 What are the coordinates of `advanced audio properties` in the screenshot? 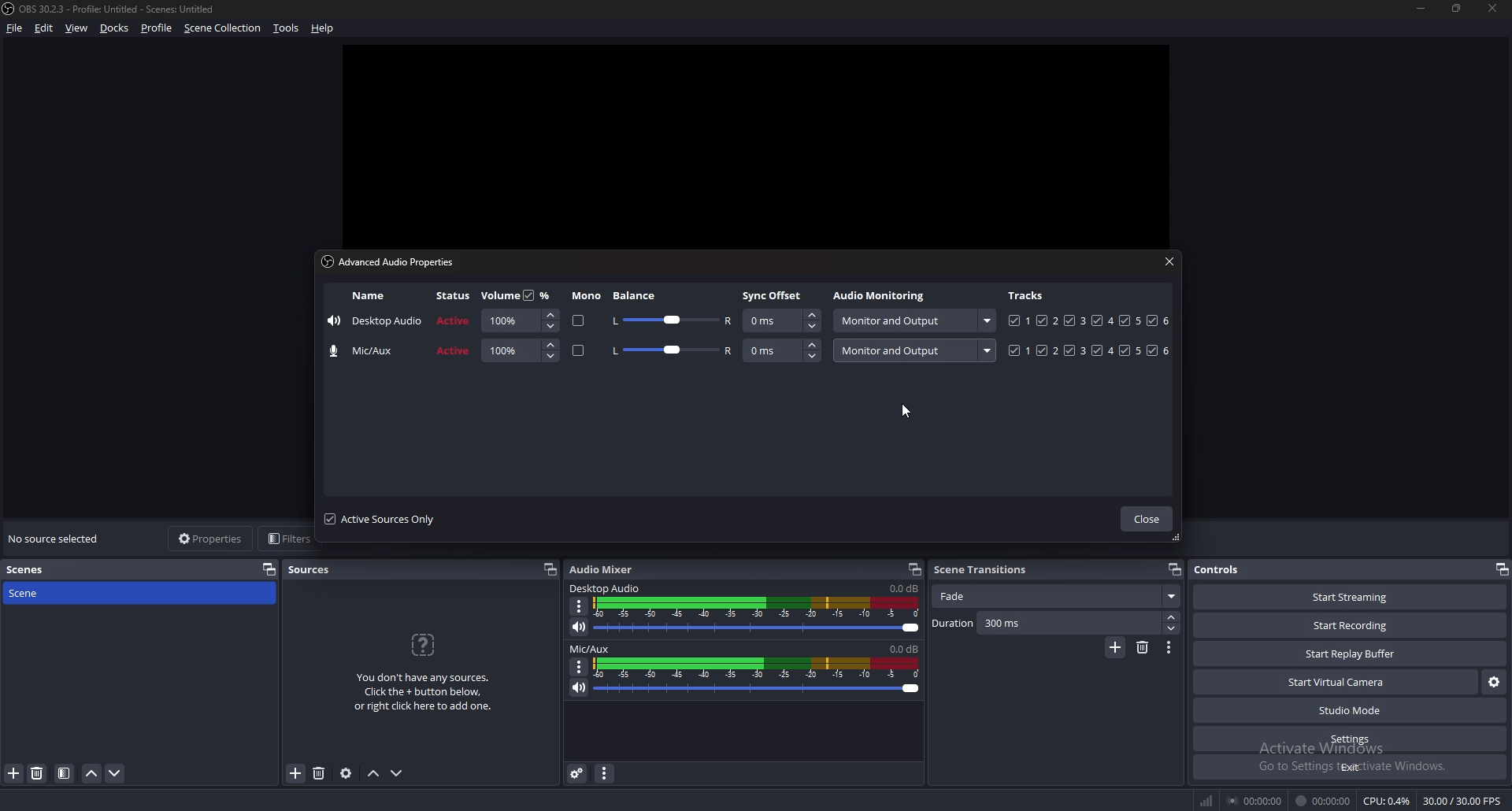 It's located at (388, 261).